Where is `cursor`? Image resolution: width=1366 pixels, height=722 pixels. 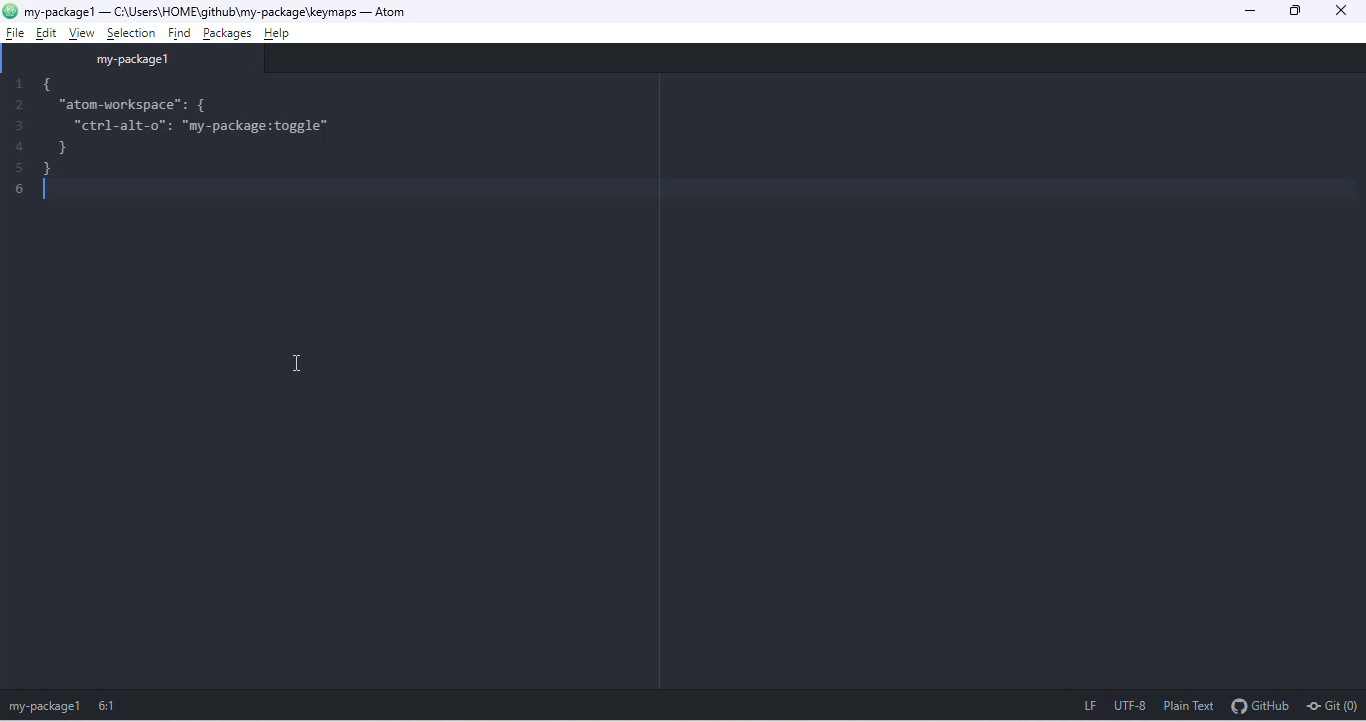
cursor is located at coordinates (296, 362).